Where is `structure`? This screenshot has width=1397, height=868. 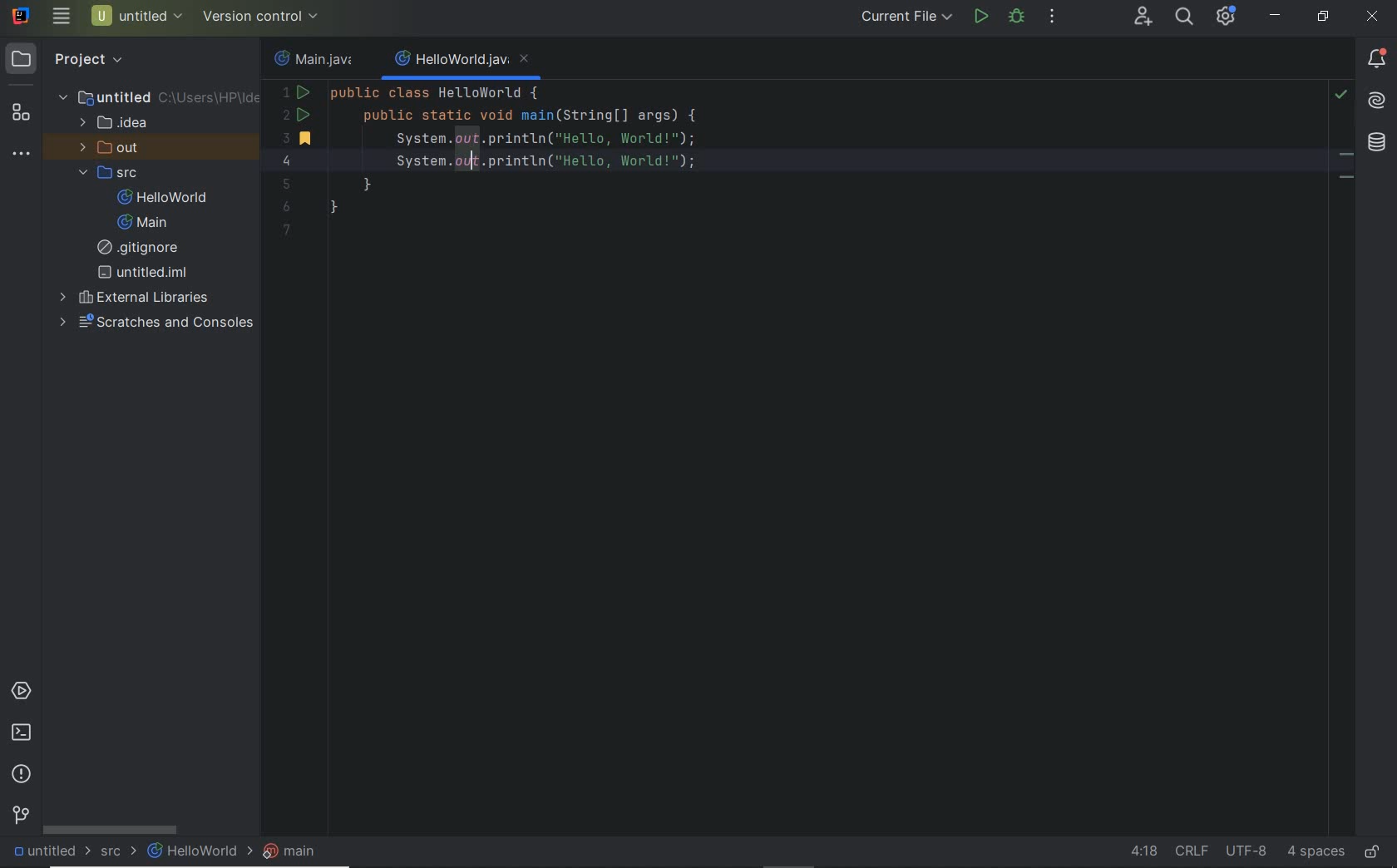 structure is located at coordinates (21, 113).